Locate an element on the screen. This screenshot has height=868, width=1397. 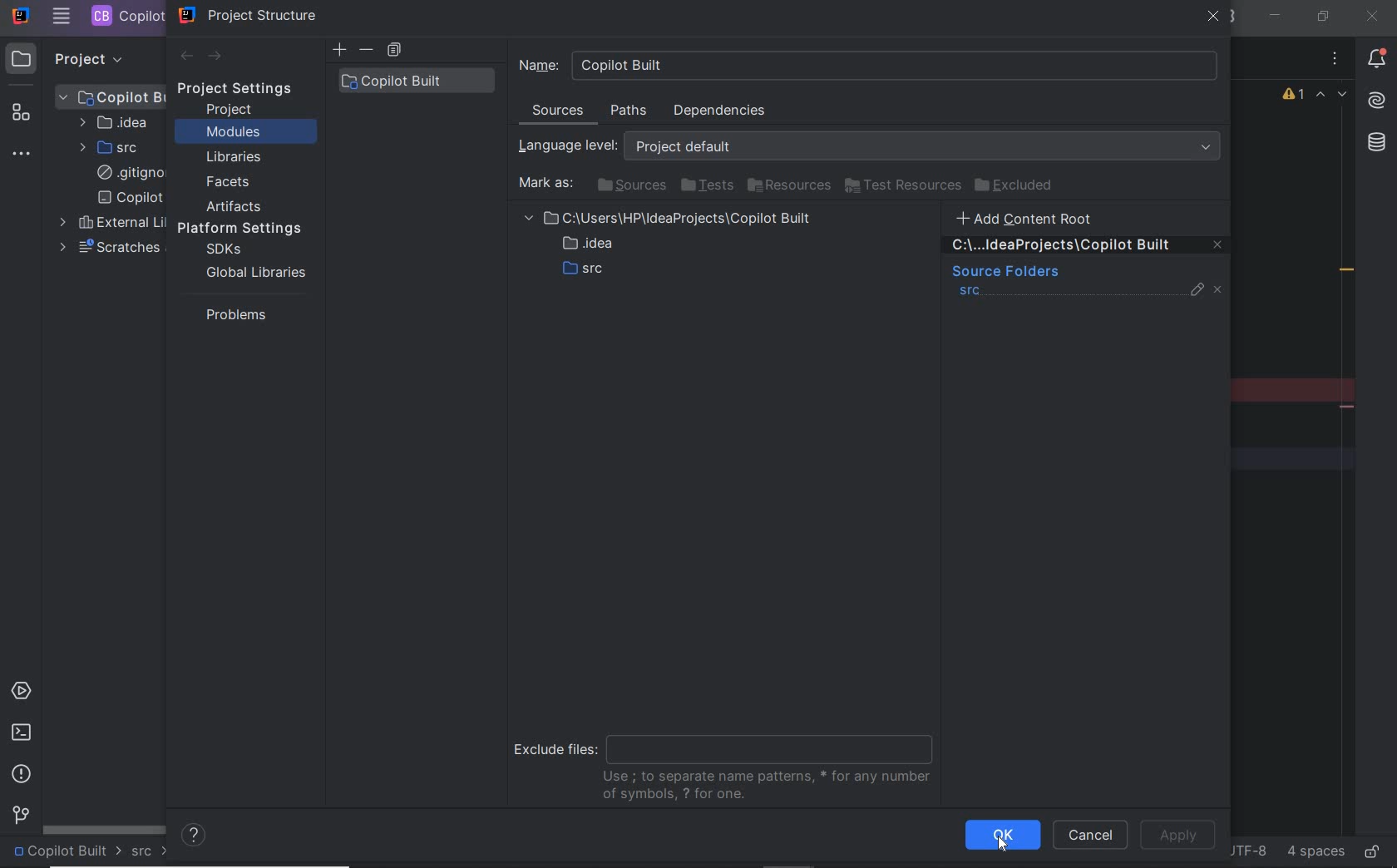
project name is located at coordinates (67, 852).